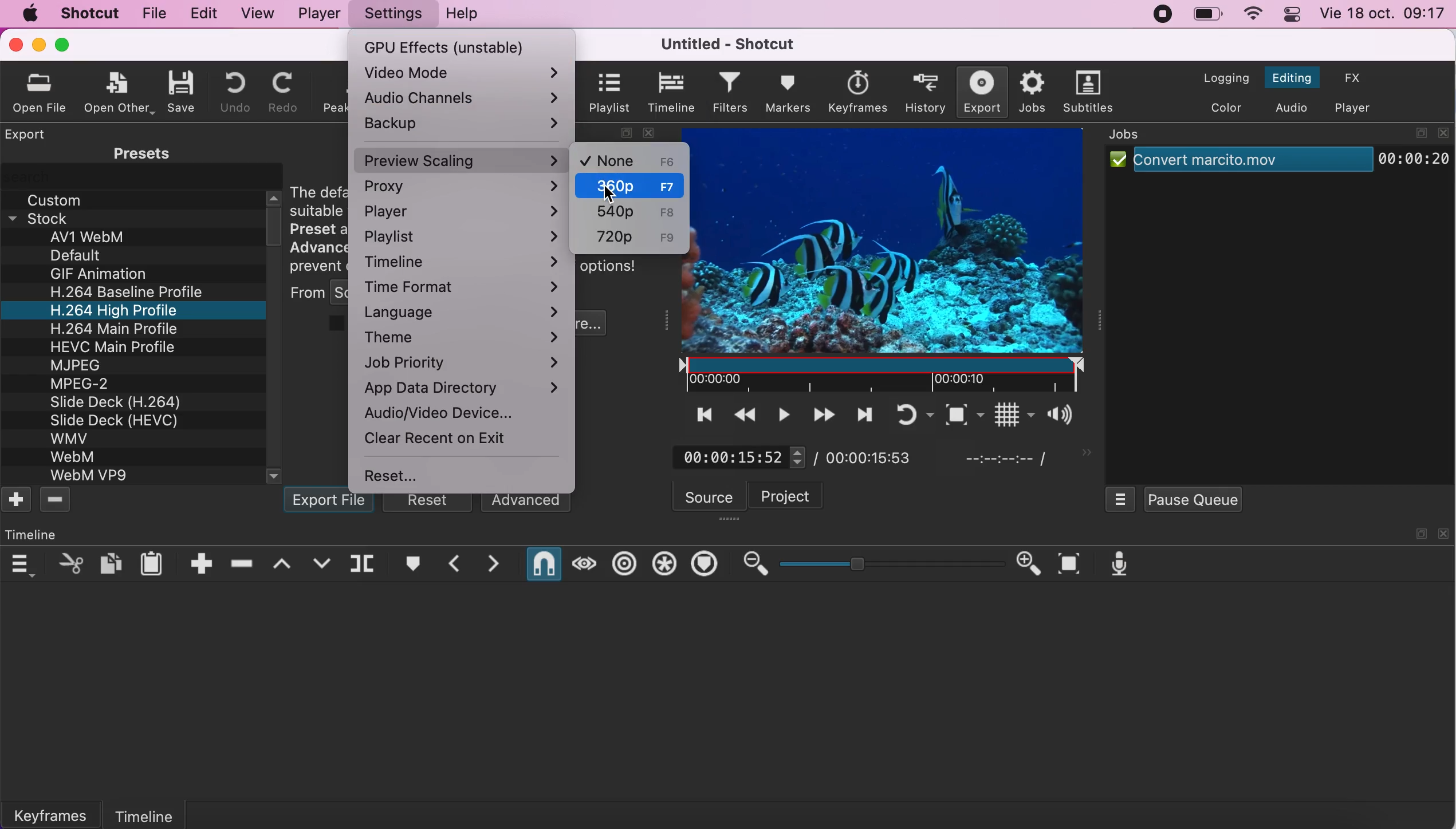 The width and height of the screenshot is (1456, 829). What do you see at coordinates (946, 413) in the screenshot?
I see `toggle zoom` at bounding box center [946, 413].